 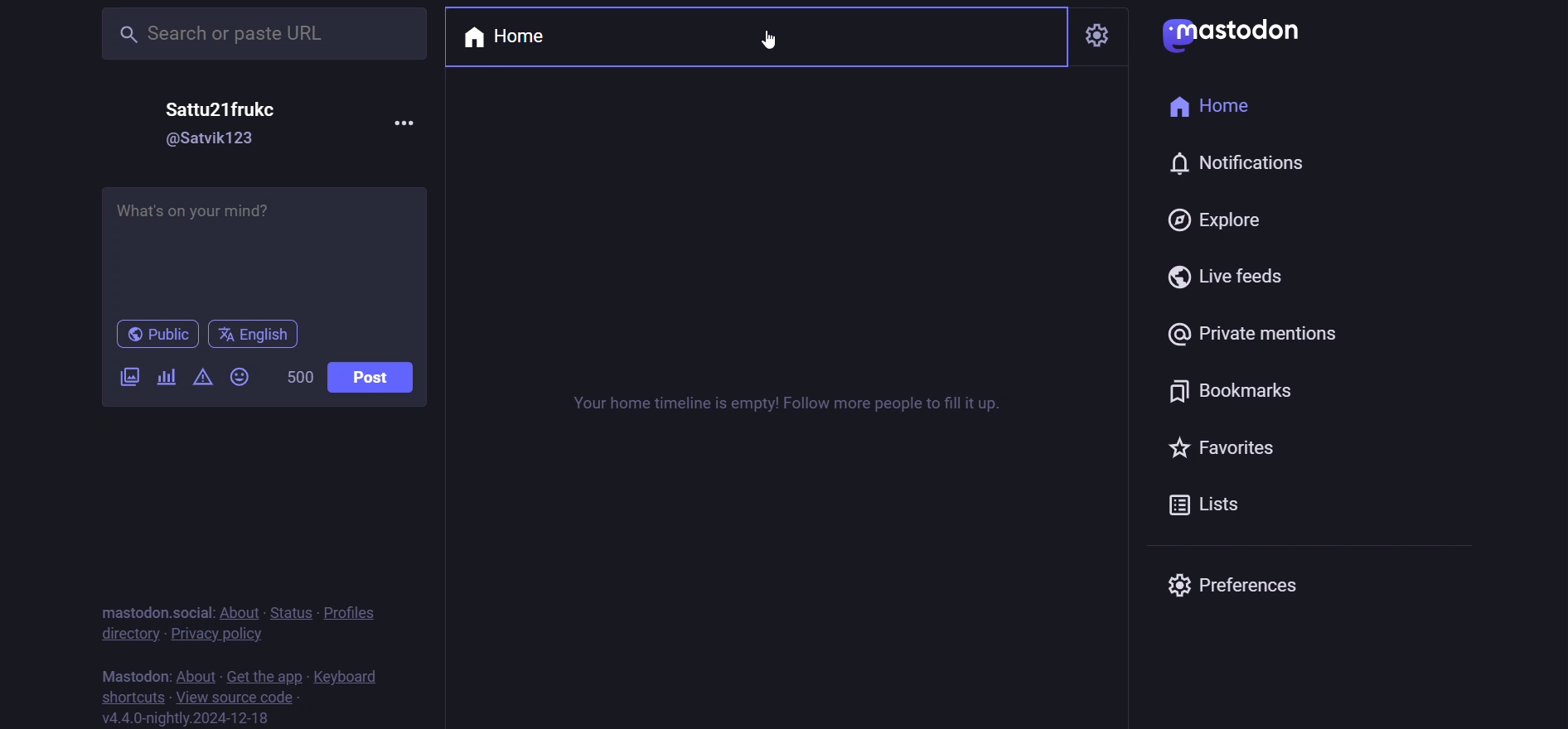 What do you see at coordinates (510, 36) in the screenshot?
I see `home` at bounding box center [510, 36].